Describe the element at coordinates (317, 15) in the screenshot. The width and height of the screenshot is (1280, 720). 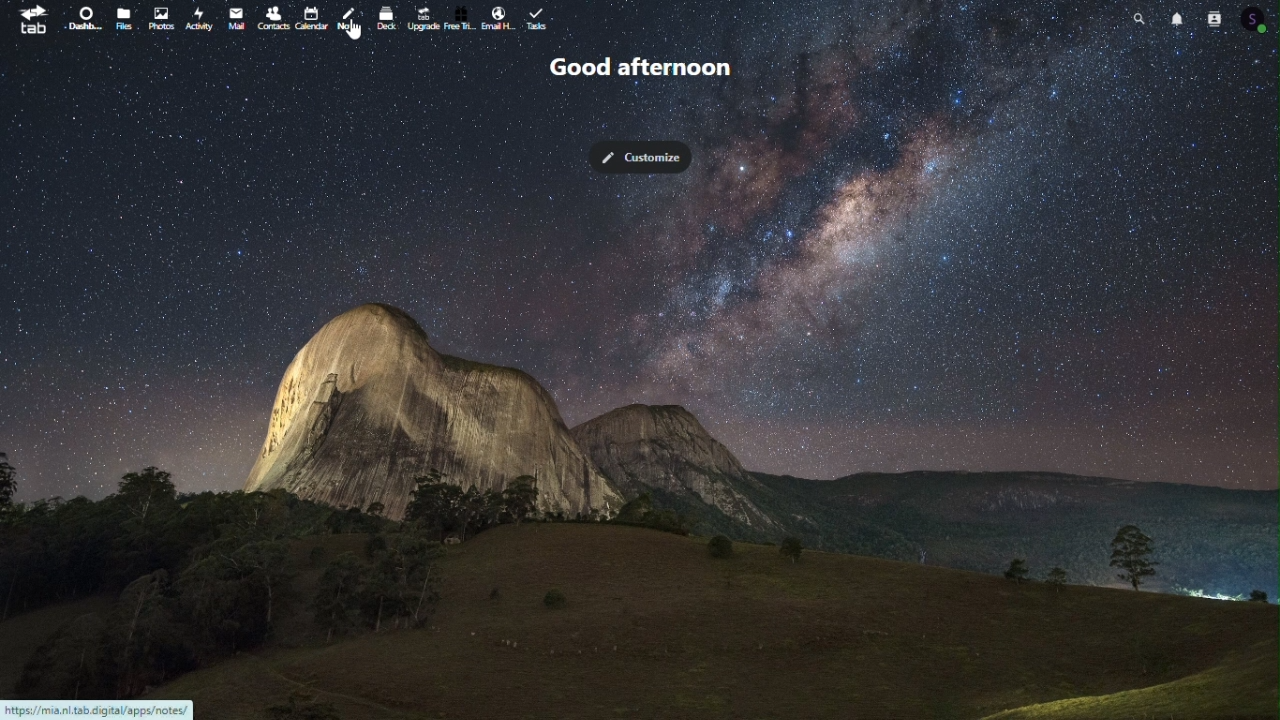
I see `Calendar` at that location.